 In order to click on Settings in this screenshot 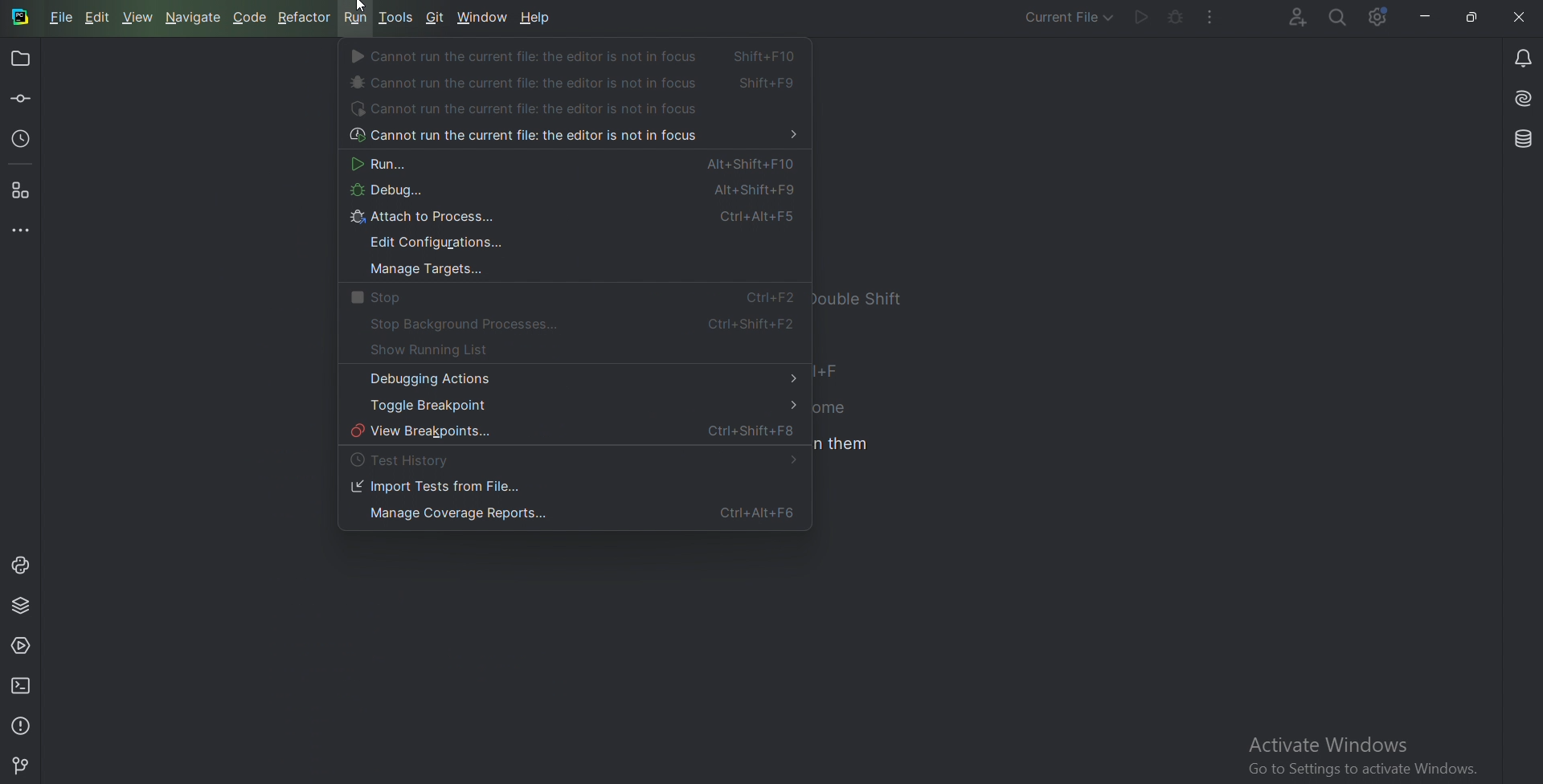, I will do `click(1378, 18)`.